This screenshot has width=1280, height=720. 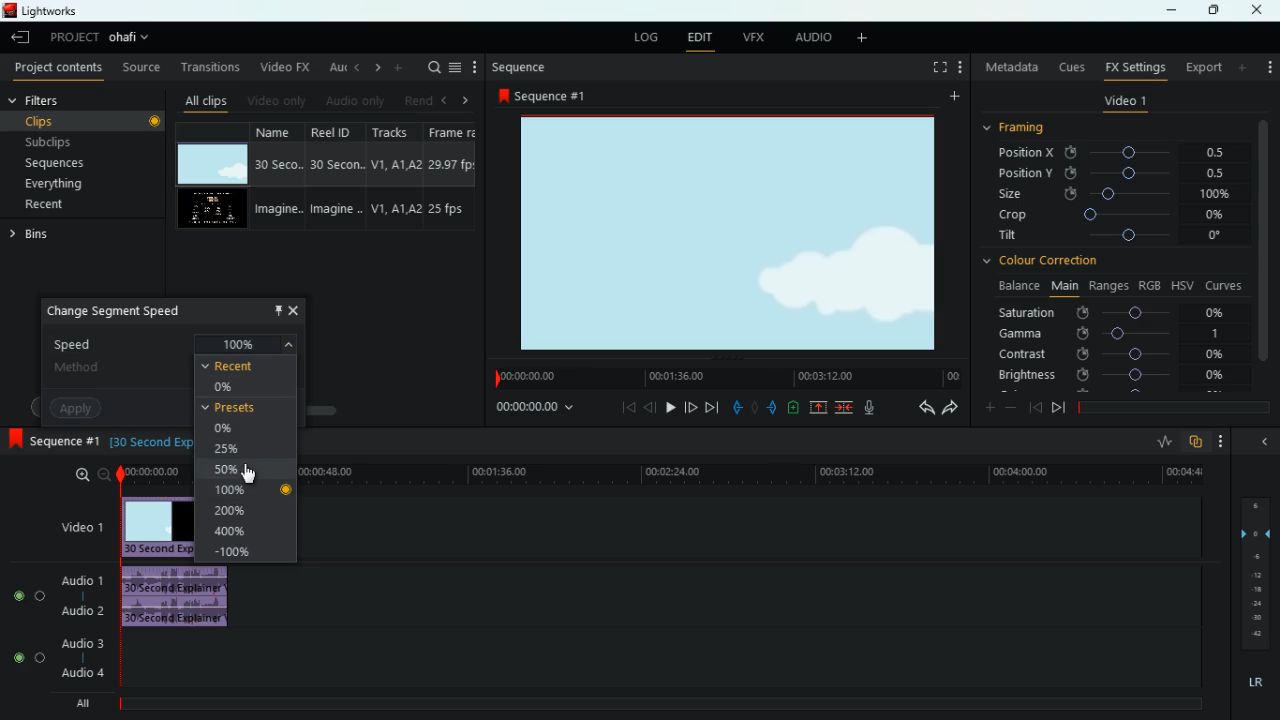 I want to click on 0, so click(x=233, y=387).